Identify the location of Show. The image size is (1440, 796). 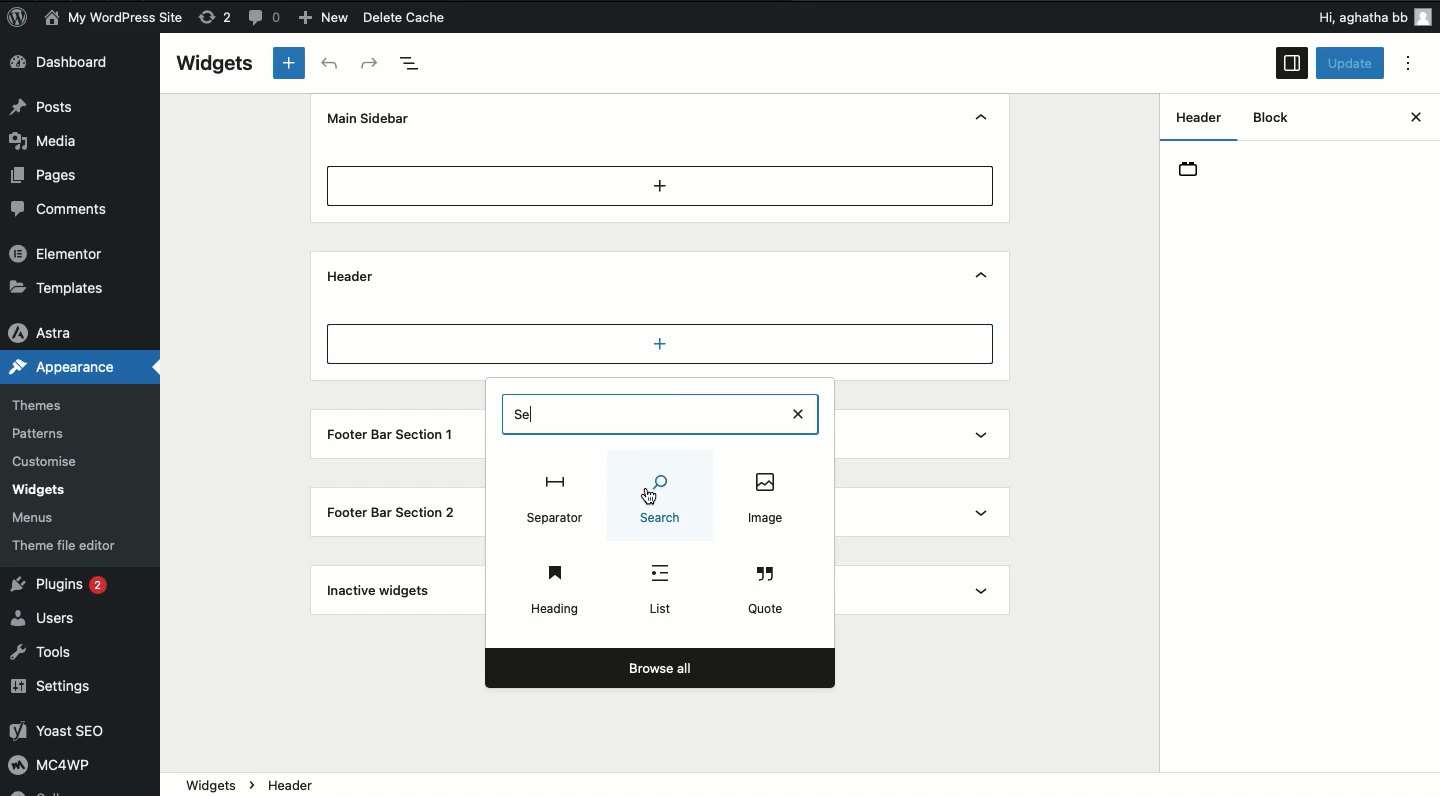
(987, 436).